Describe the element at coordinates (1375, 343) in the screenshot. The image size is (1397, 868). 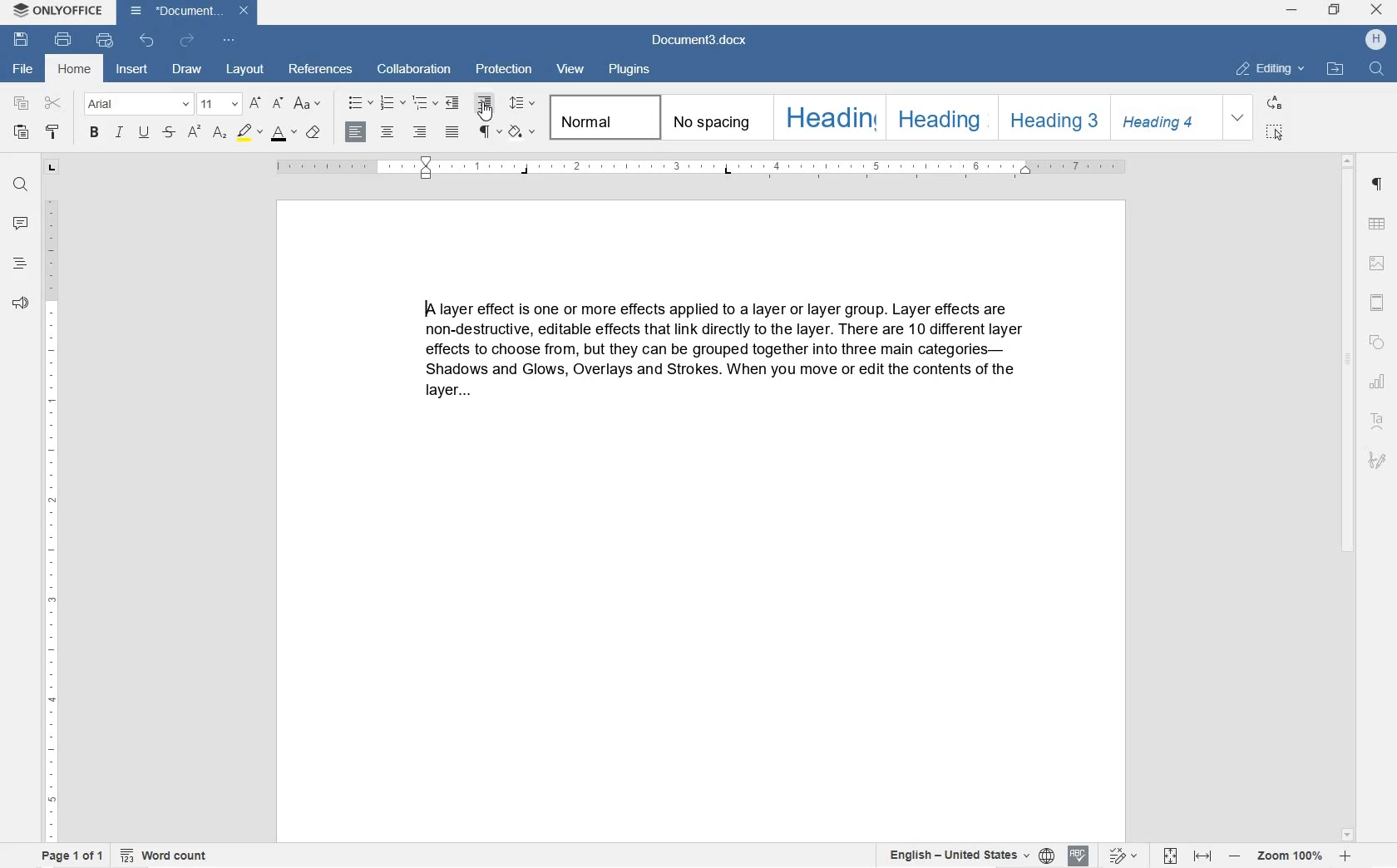
I see `SHAPE` at that location.